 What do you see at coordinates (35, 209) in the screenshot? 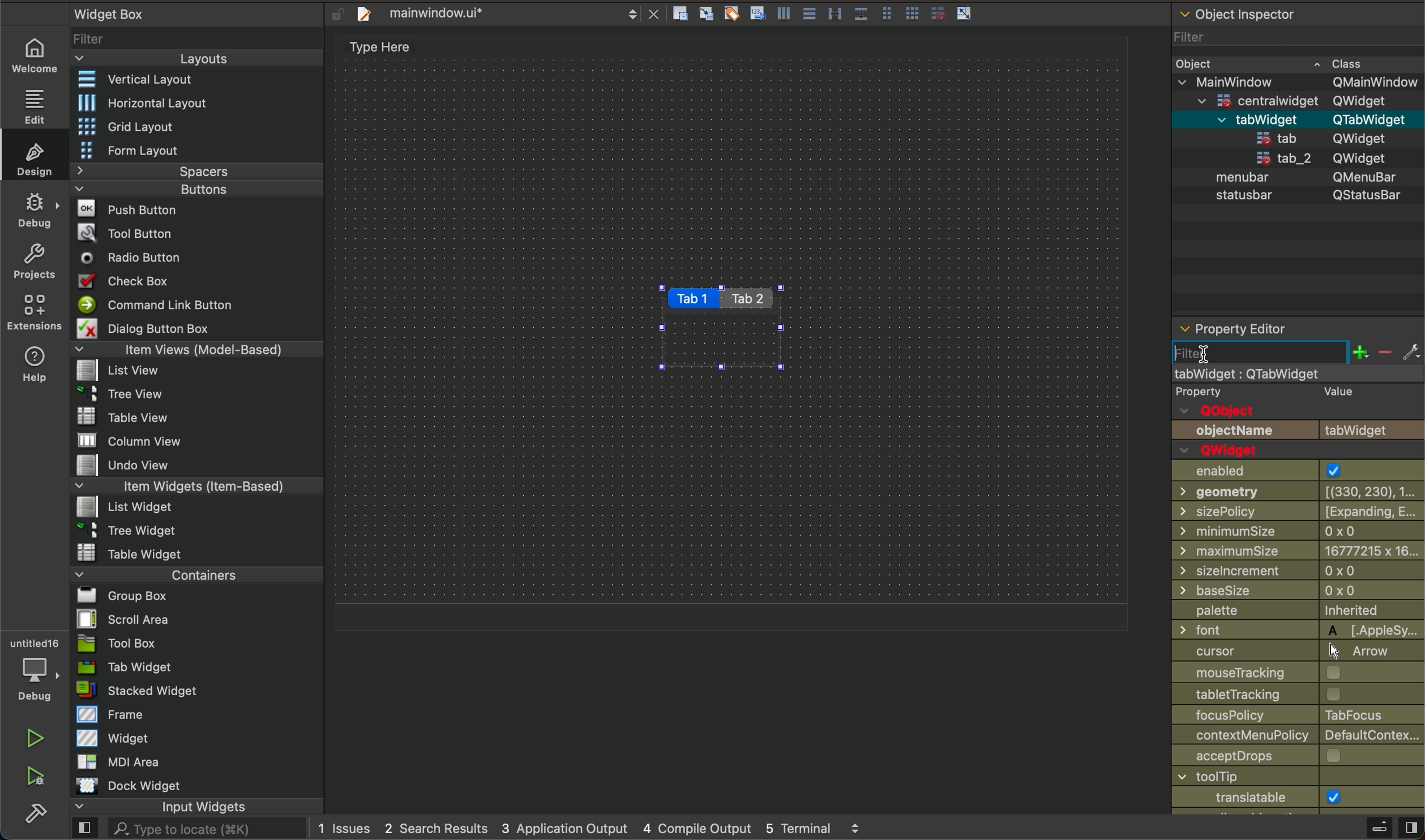
I see `debug` at bounding box center [35, 209].